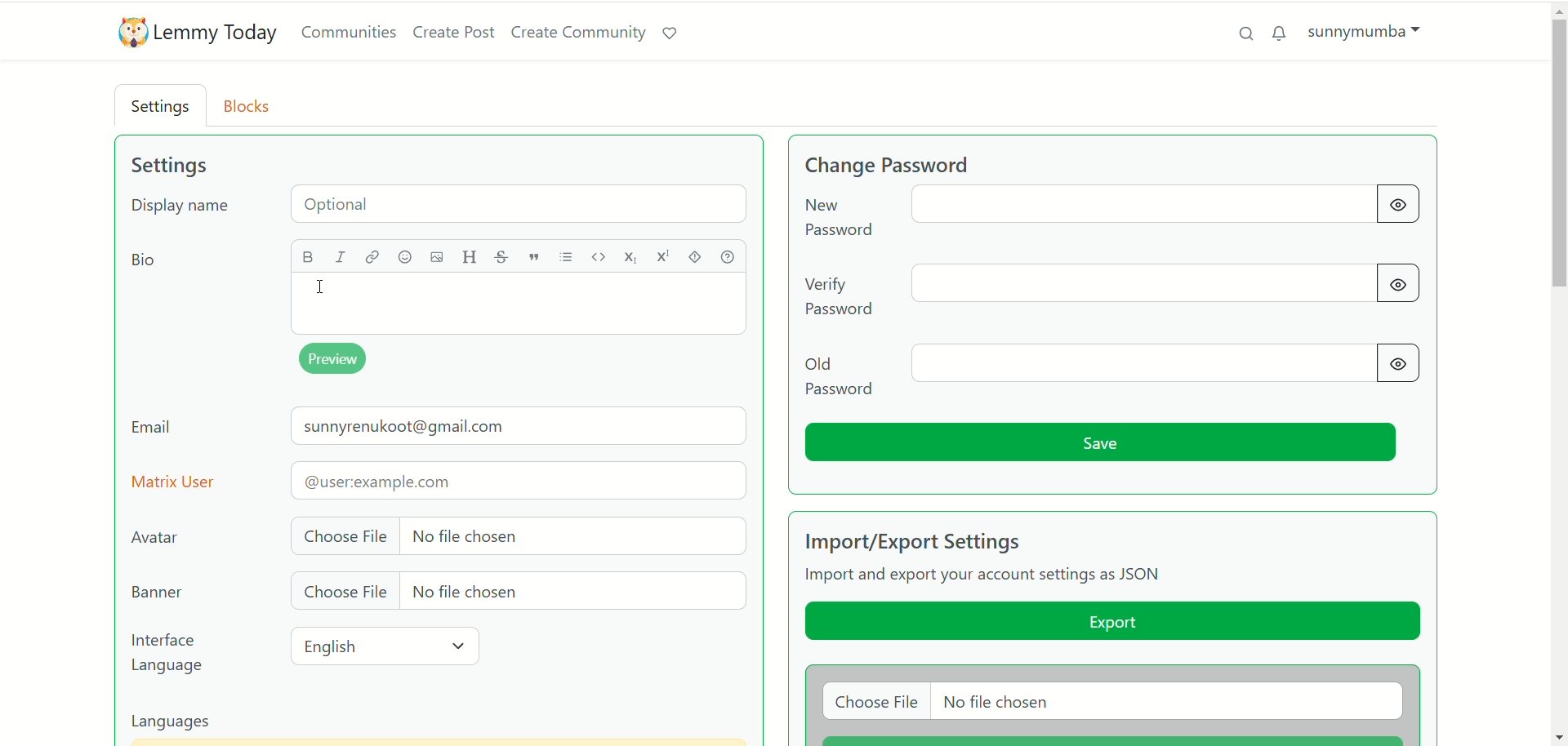  I want to click on support lemmy, so click(675, 34).